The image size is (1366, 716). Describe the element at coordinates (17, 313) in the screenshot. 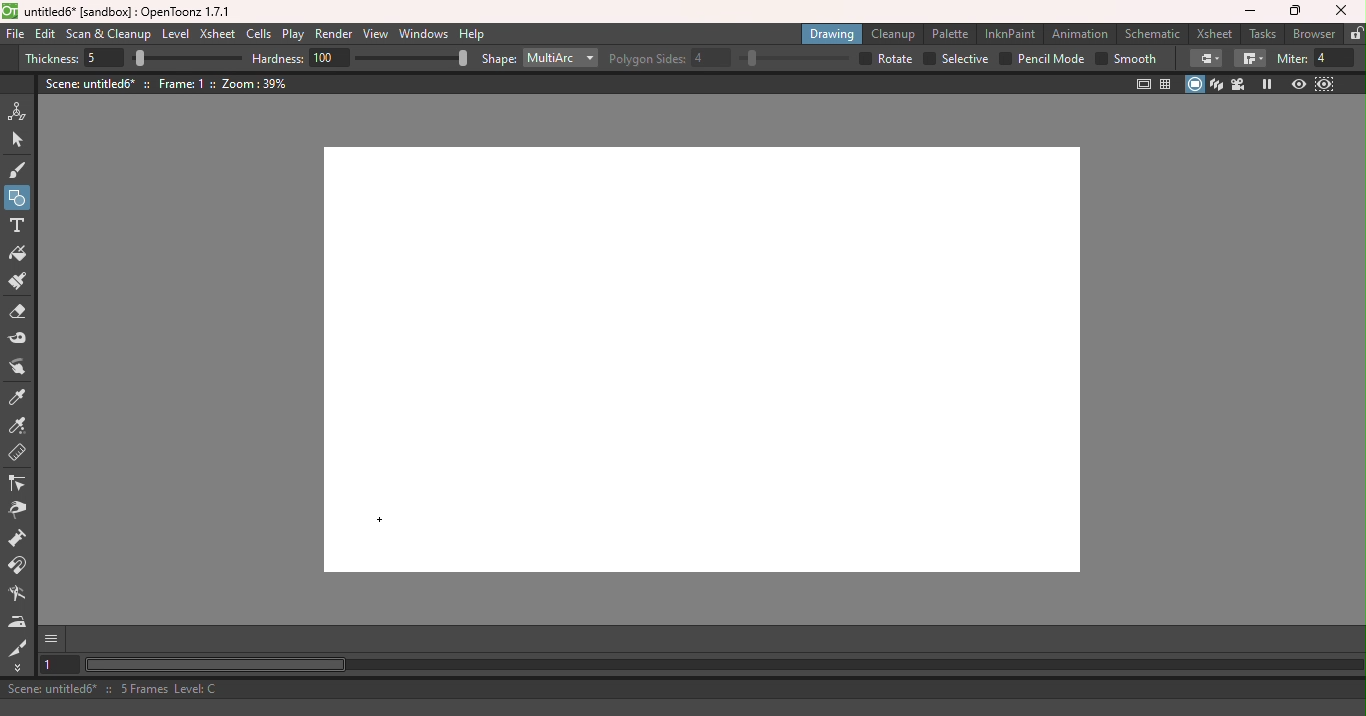

I see `Eraser tool` at that location.